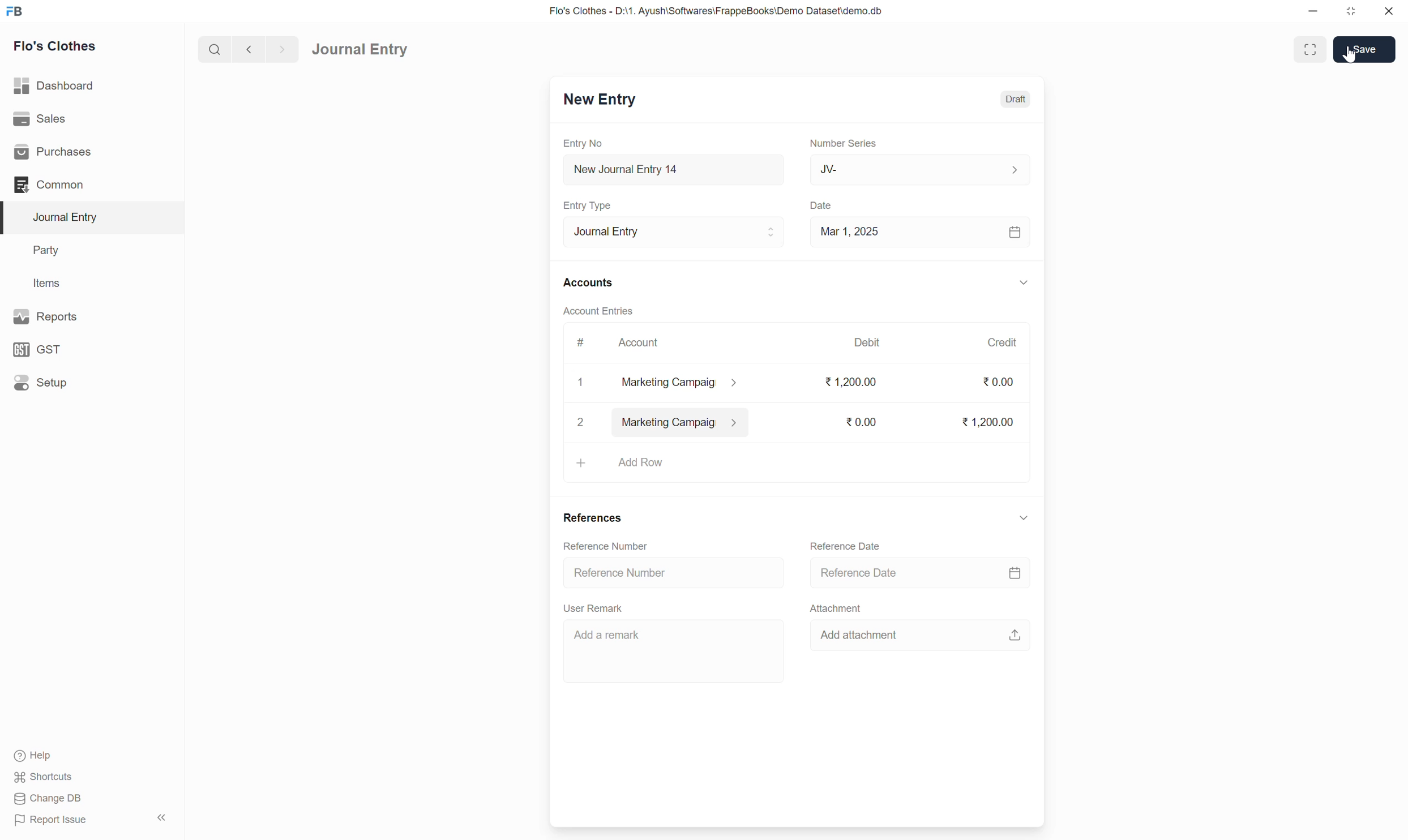 Image resolution: width=1408 pixels, height=840 pixels. I want to click on Flo's Clothes - D:\1. Ayush\Softwares\FrappeBooks\Demo Dataset\demo.db, so click(719, 10).